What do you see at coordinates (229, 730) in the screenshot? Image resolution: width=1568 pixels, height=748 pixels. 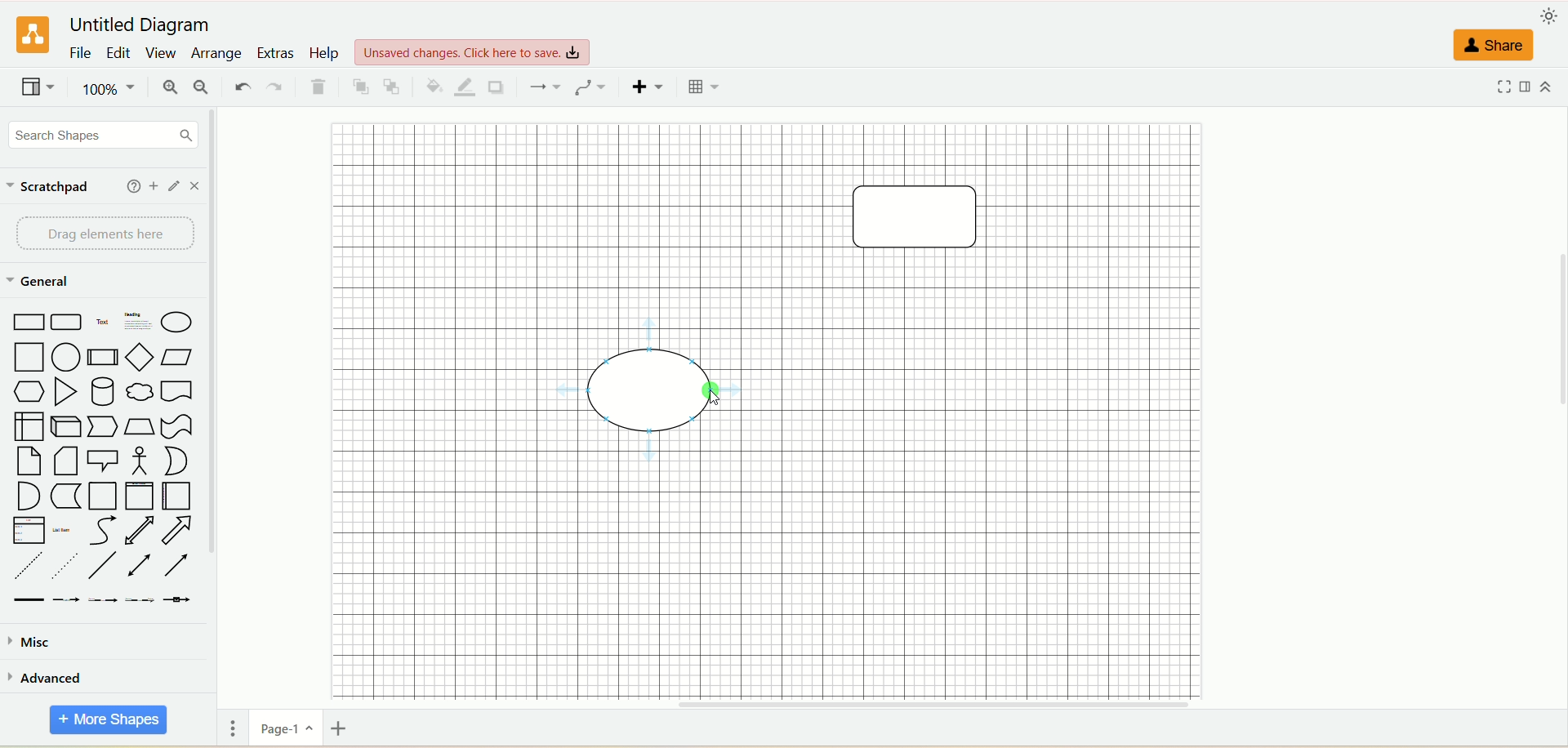 I see `pages` at bounding box center [229, 730].